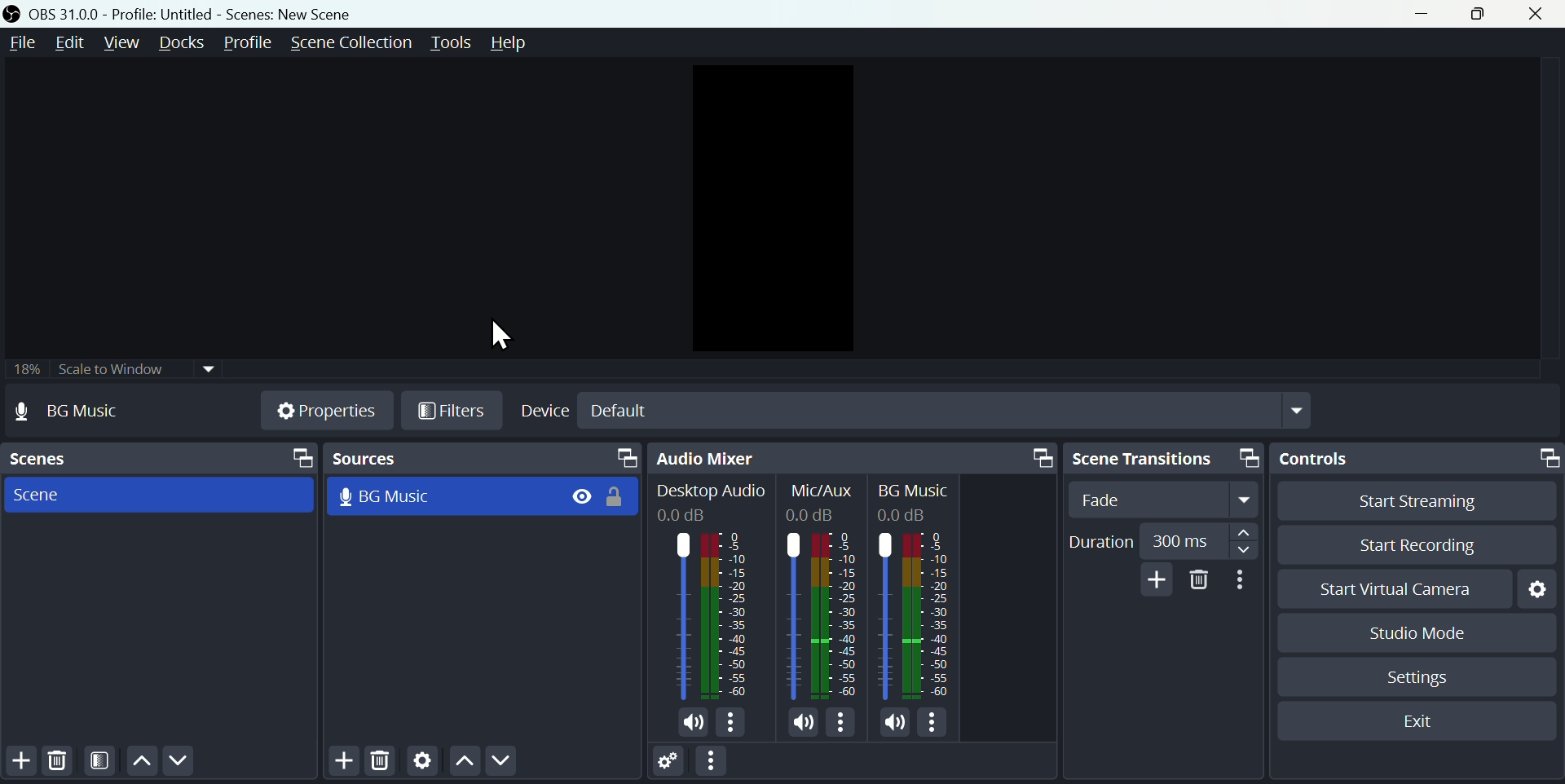 The image size is (1565, 784). What do you see at coordinates (1417, 540) in the screenshot?
I see `Start recording` at bounding box center [1417, 540].